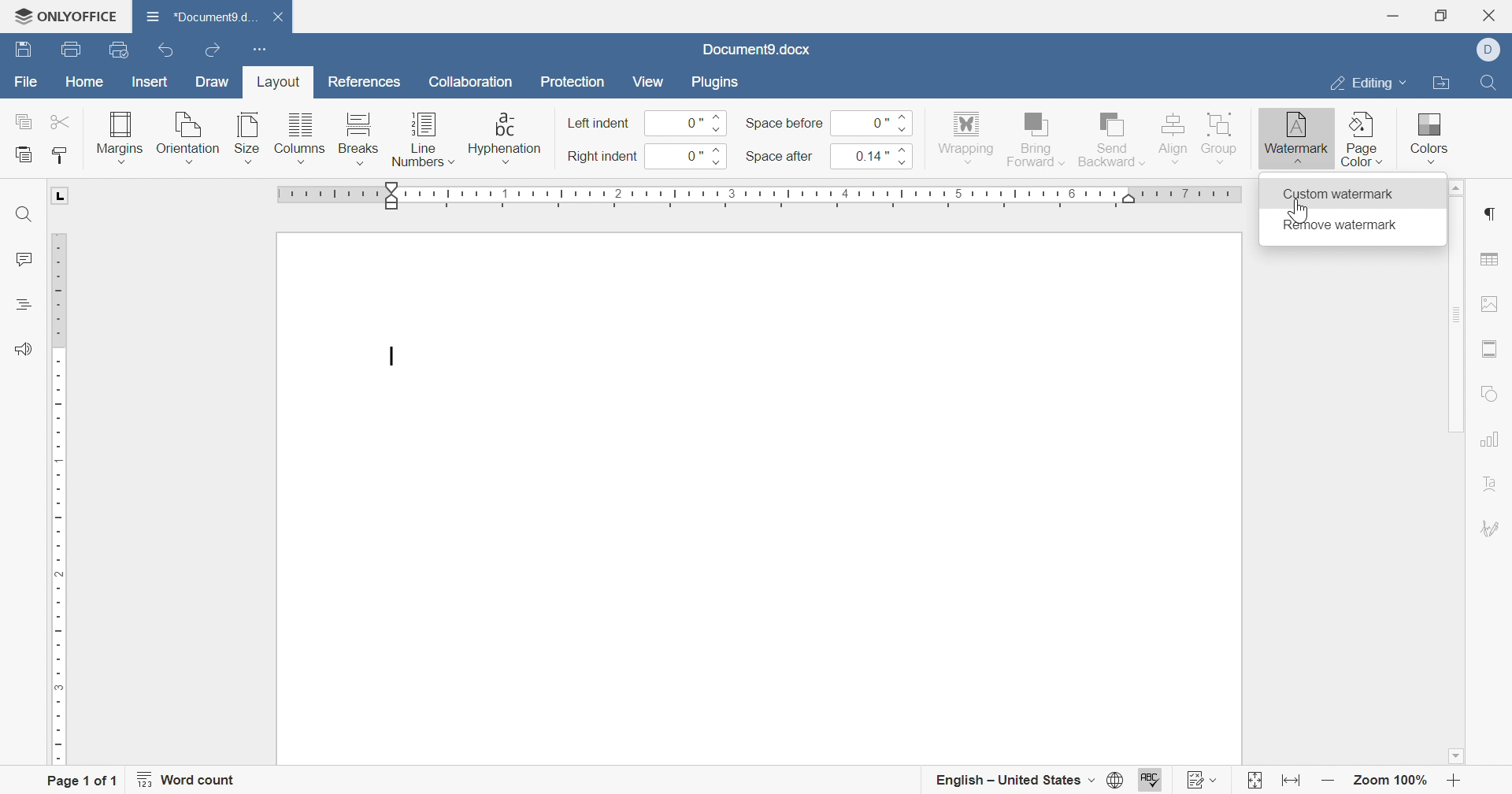  What do you see at coordinates (1491, 484) in the screenshot?
I see `text art settigns` at bounding box center [1491, 484].